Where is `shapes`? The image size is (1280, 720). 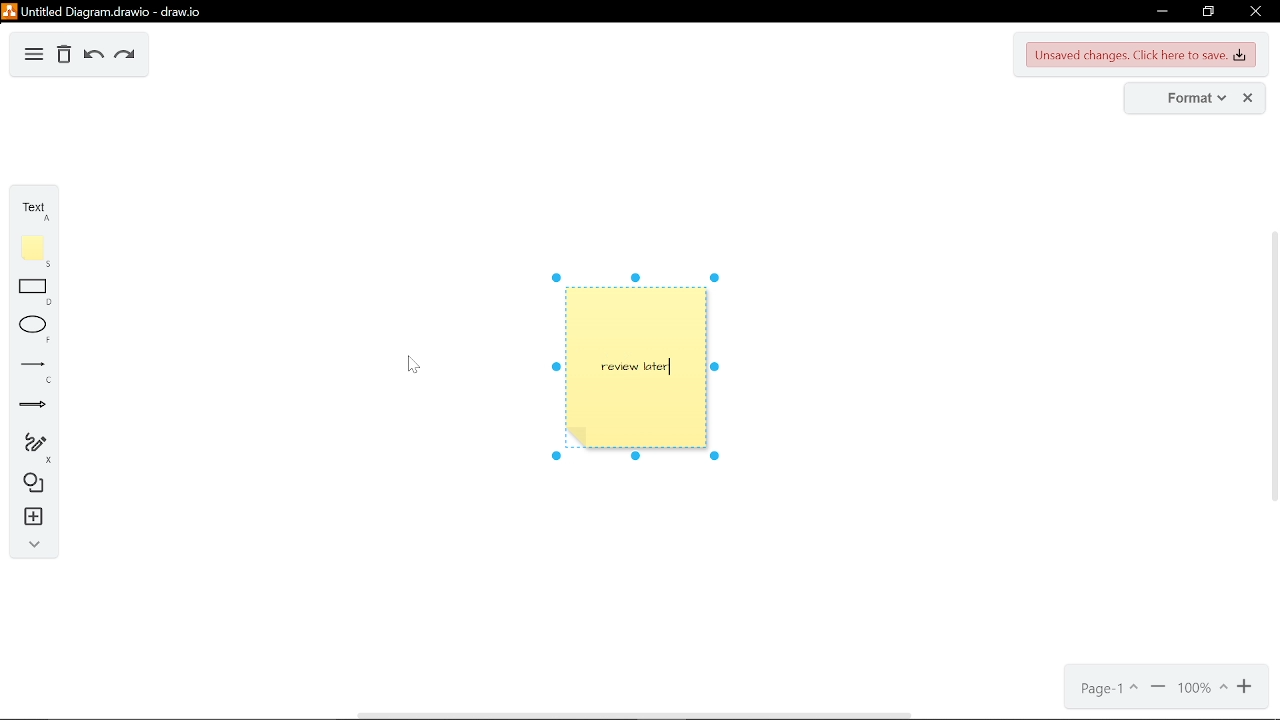
shapes is located at coordinates (30, 485).